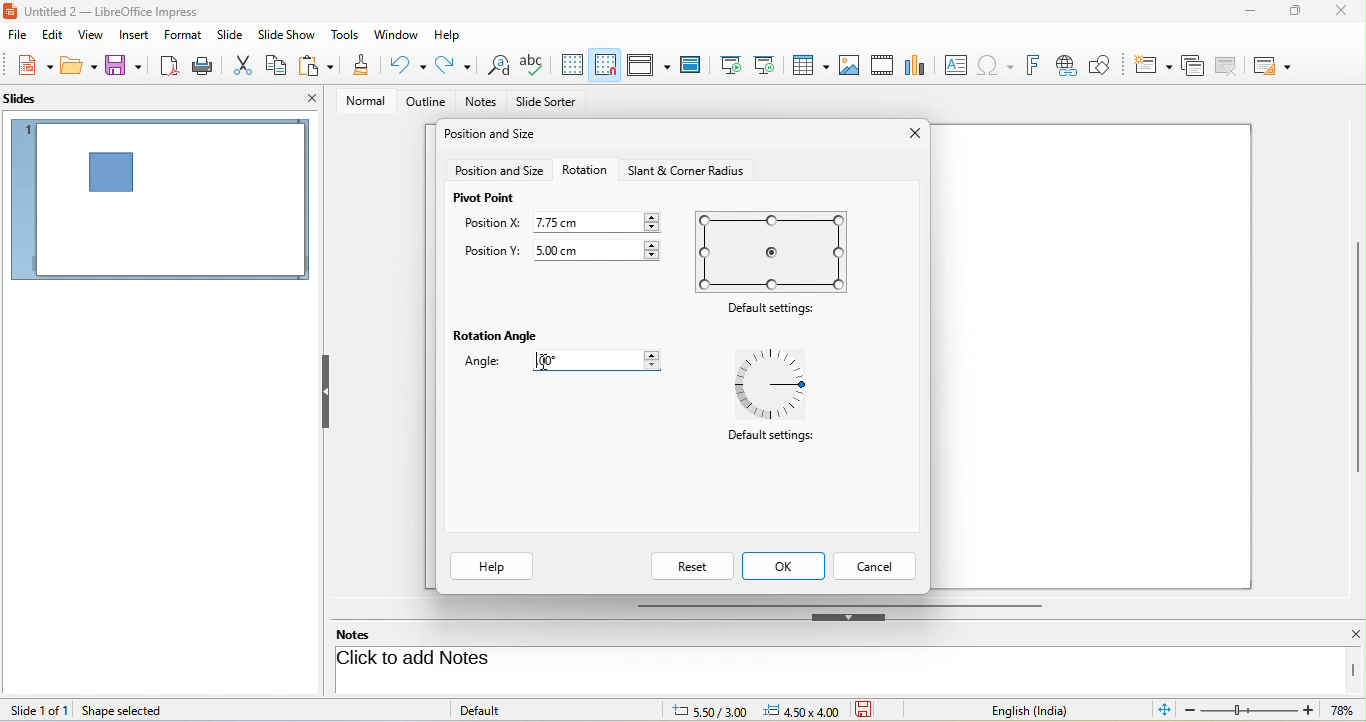  What do you see at coordinates (422, 102) in the screenshot?
I see `outline` at bounding box center [422, 102].